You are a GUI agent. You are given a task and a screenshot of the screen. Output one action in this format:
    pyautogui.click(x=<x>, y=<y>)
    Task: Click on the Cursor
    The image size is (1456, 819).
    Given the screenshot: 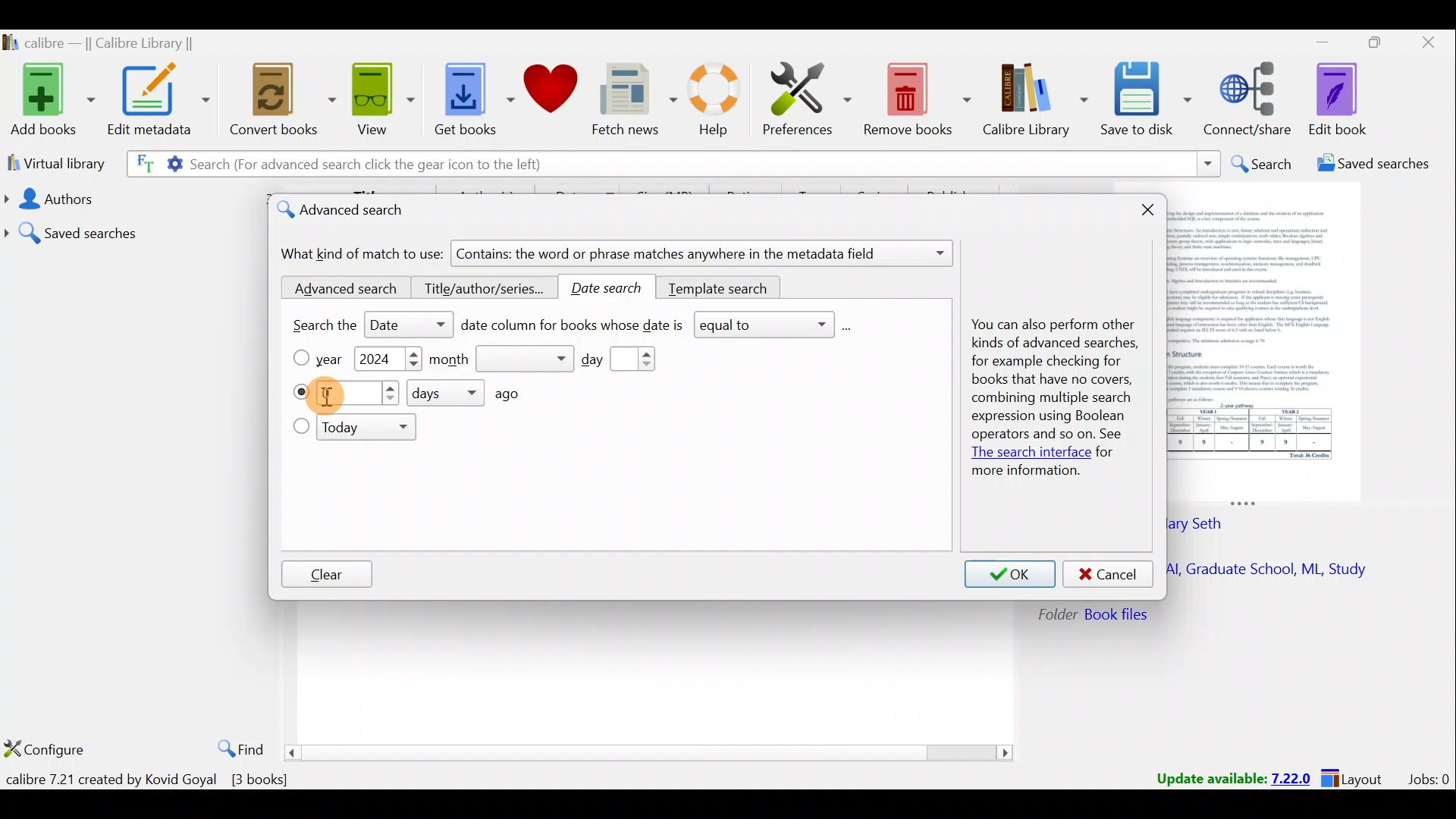 What is the action you would take?
    pyautogui.click(x=332, y=395)
    